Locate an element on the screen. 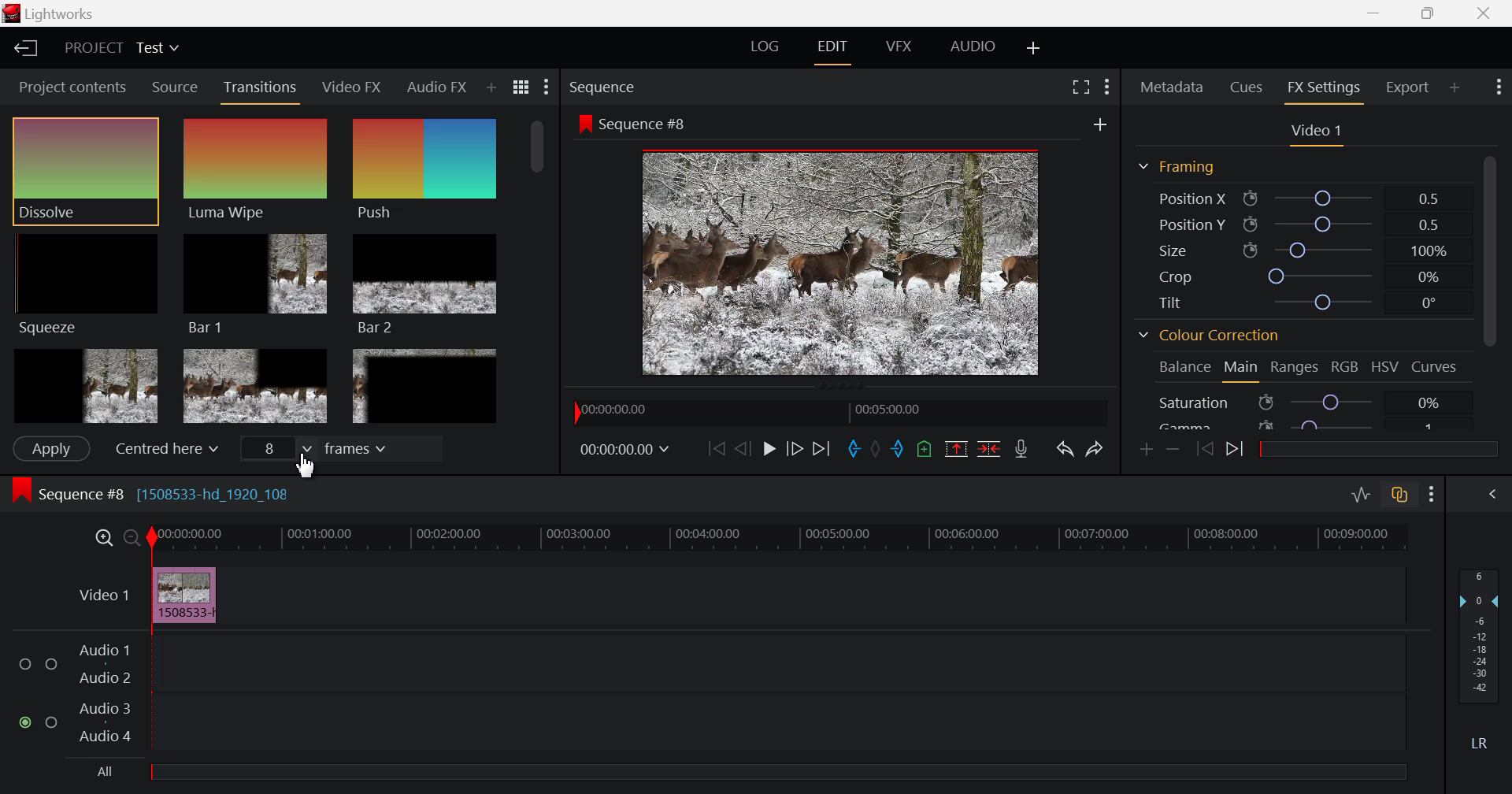  Luma Wipe is located at coordinates (254, 168).